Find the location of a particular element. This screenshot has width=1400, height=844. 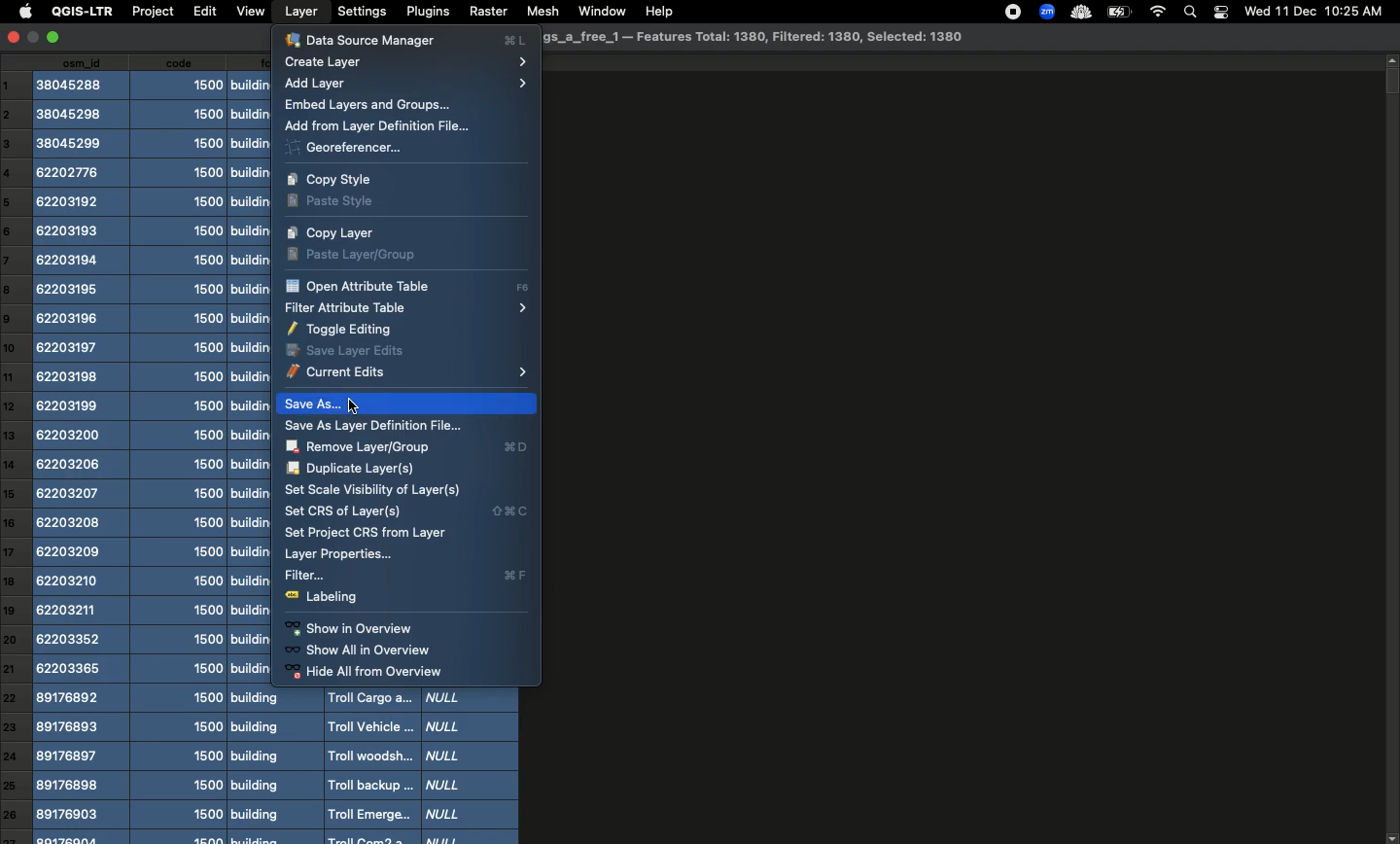

Window is located at coordinates (599, 10).